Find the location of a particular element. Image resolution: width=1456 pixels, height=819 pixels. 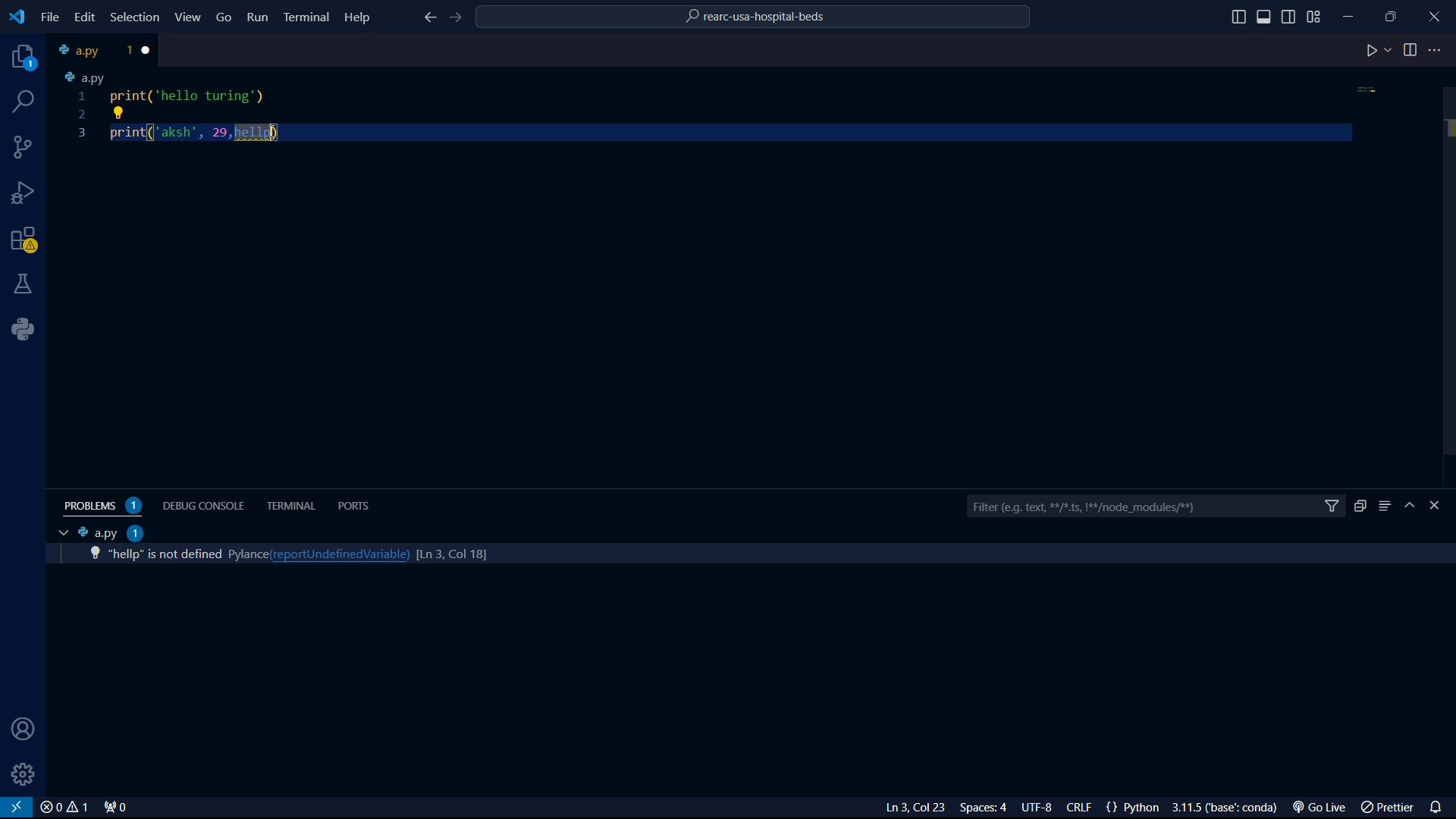

labs is located at coordinates (24, 283).